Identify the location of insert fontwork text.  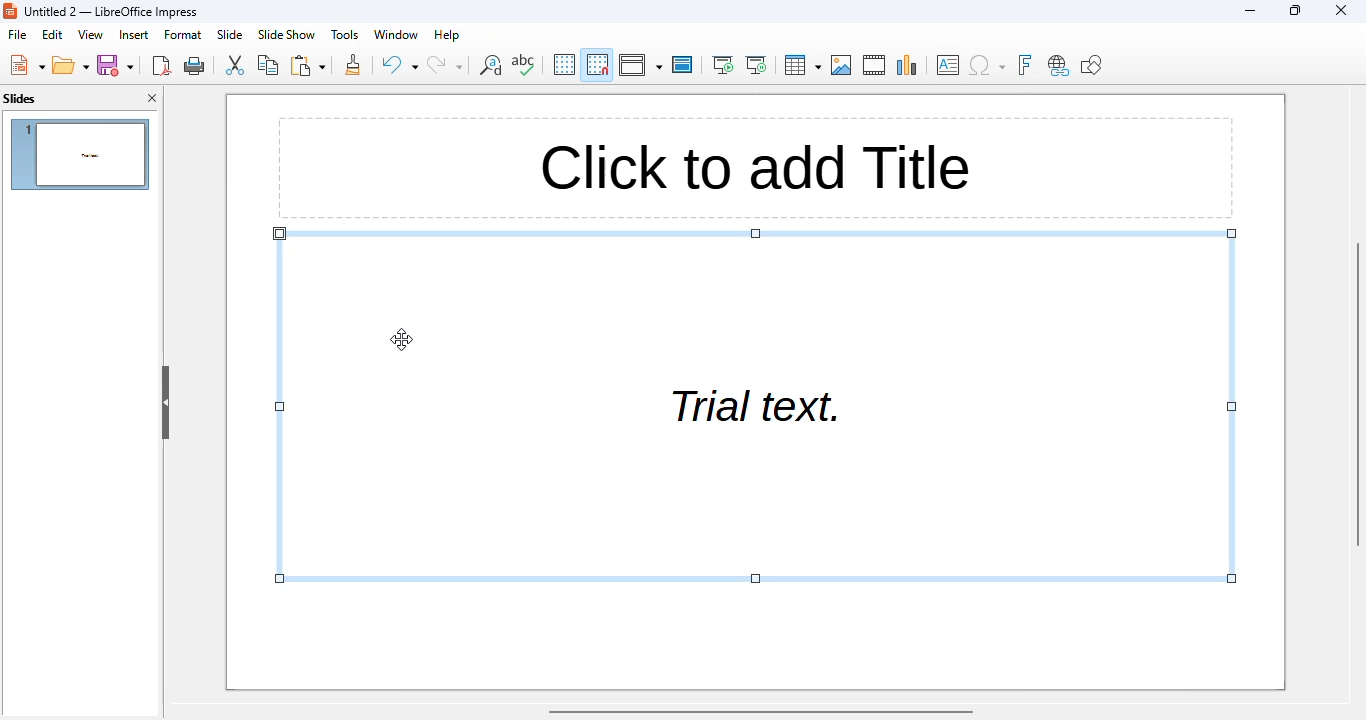
(1025, 65).